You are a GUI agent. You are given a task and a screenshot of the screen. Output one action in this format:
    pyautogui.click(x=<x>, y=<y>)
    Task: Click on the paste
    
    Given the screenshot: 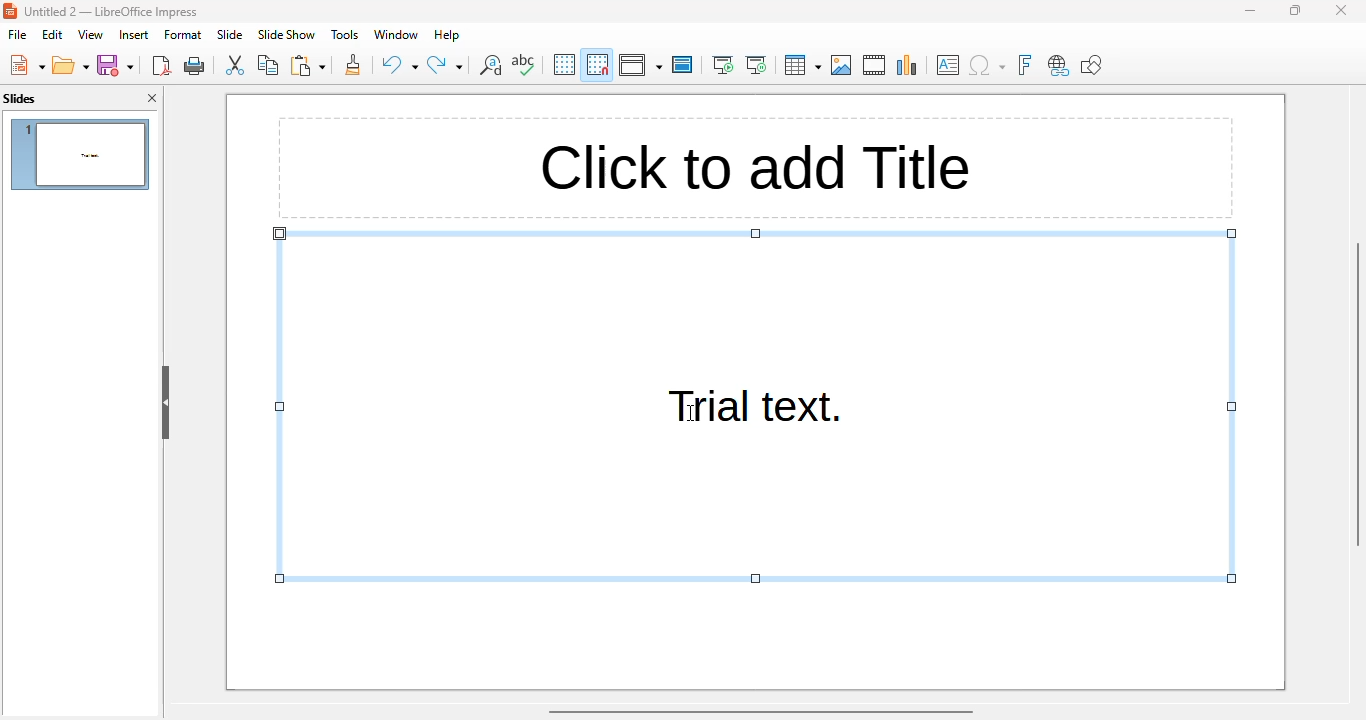 What is the action you would take?
    pyautogui.click(x=307, y=65)
    